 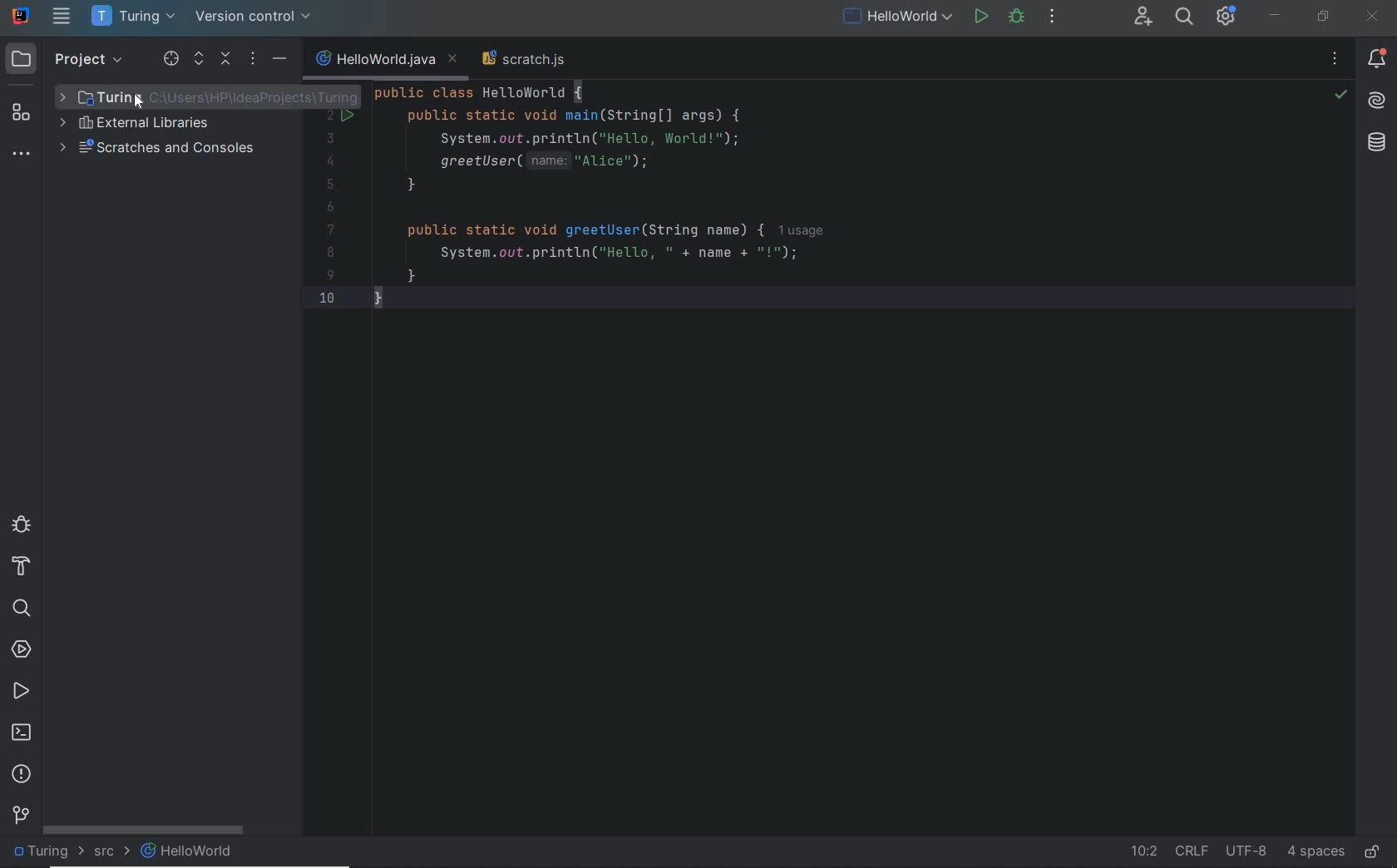 I want to click on scratches & consoles, so click(x=165, y=149).